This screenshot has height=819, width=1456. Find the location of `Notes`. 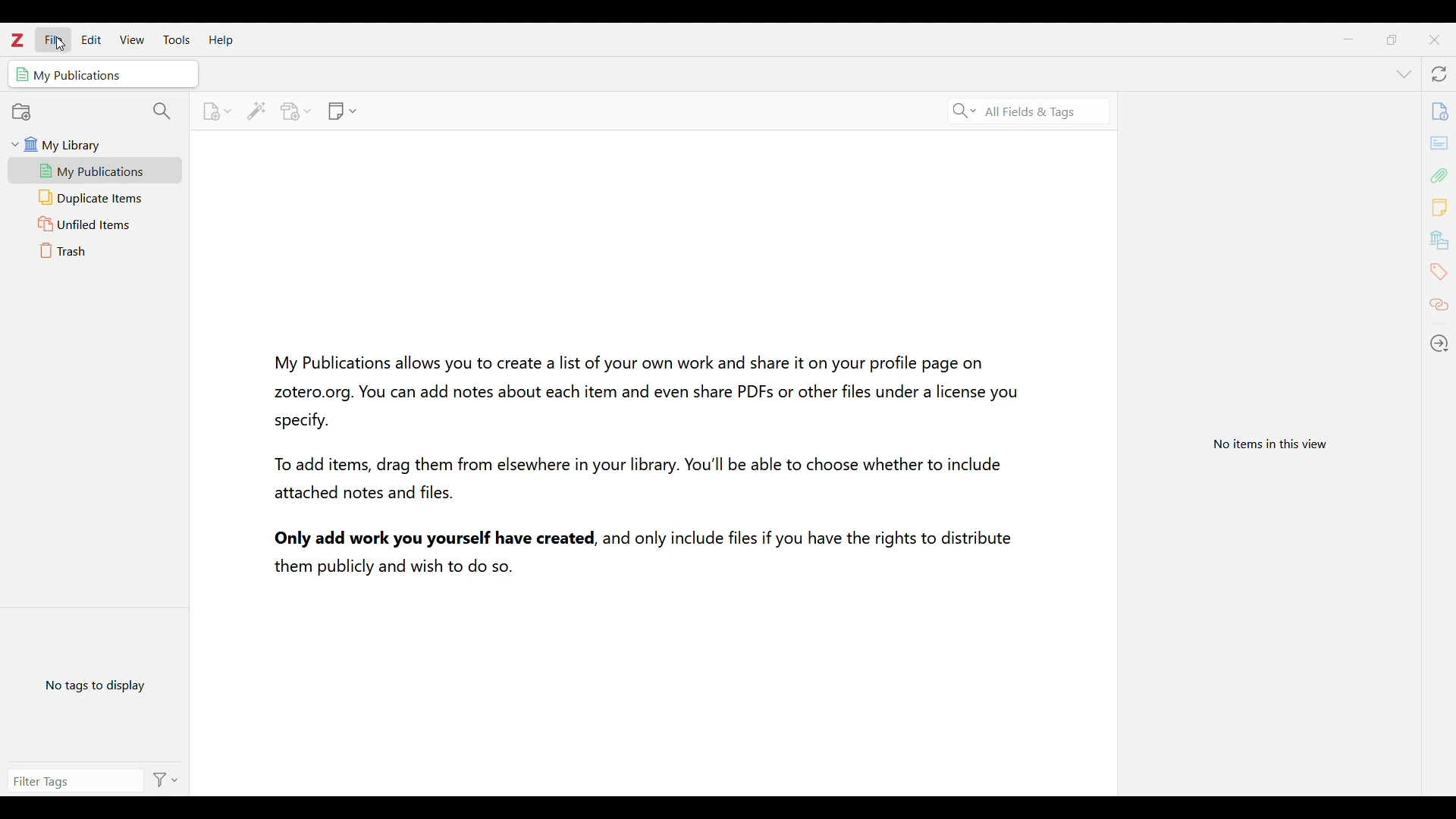

Notes is located at coordinates (1440, 207).